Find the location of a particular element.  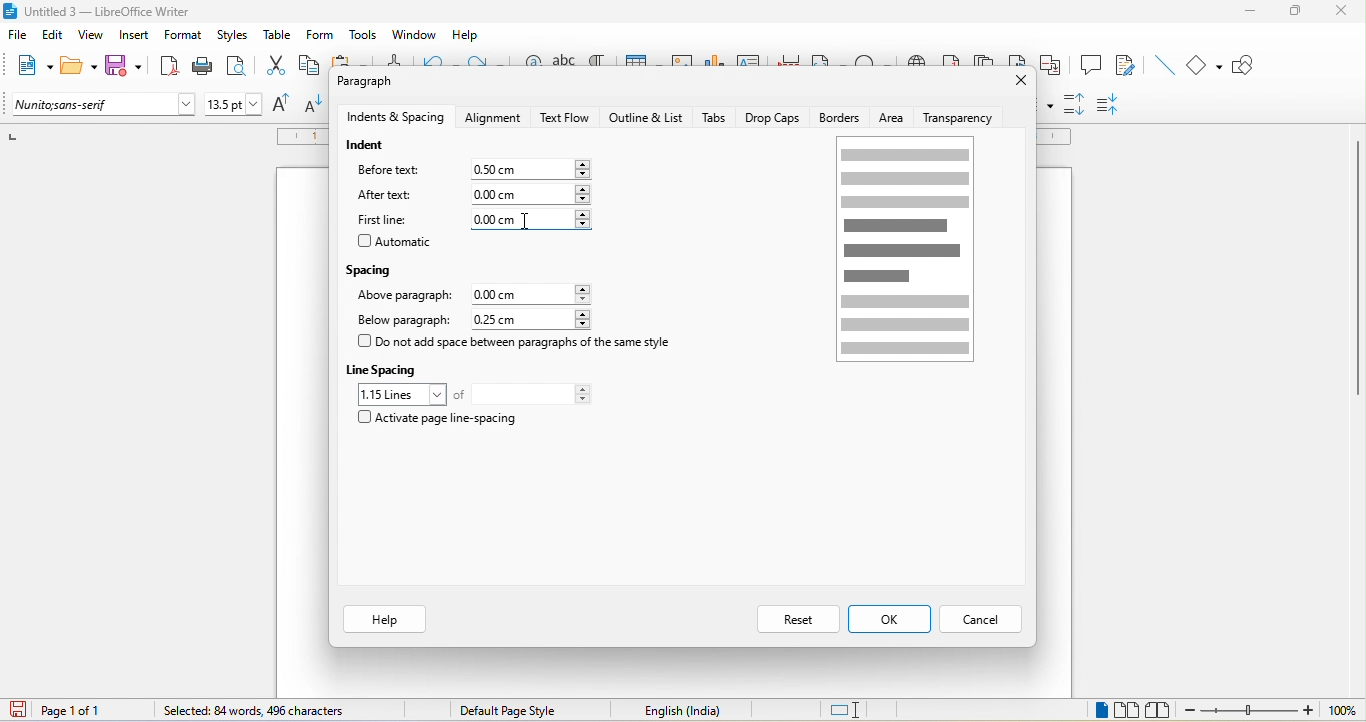

view is located at coordinates (91, 38).